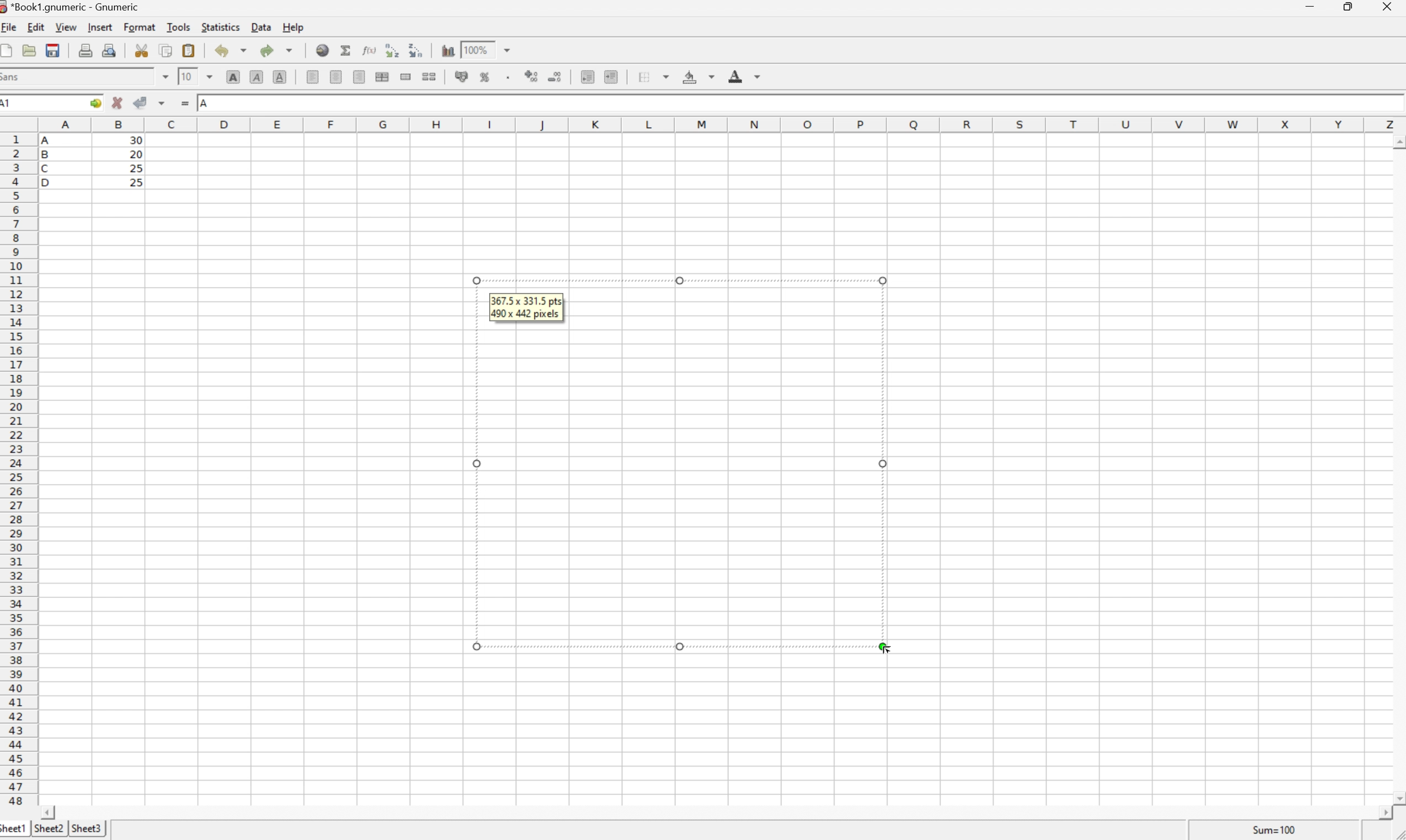  Describe the element at coordinates (185, 102) in the screenshot. I see `Enter formula` at that location.